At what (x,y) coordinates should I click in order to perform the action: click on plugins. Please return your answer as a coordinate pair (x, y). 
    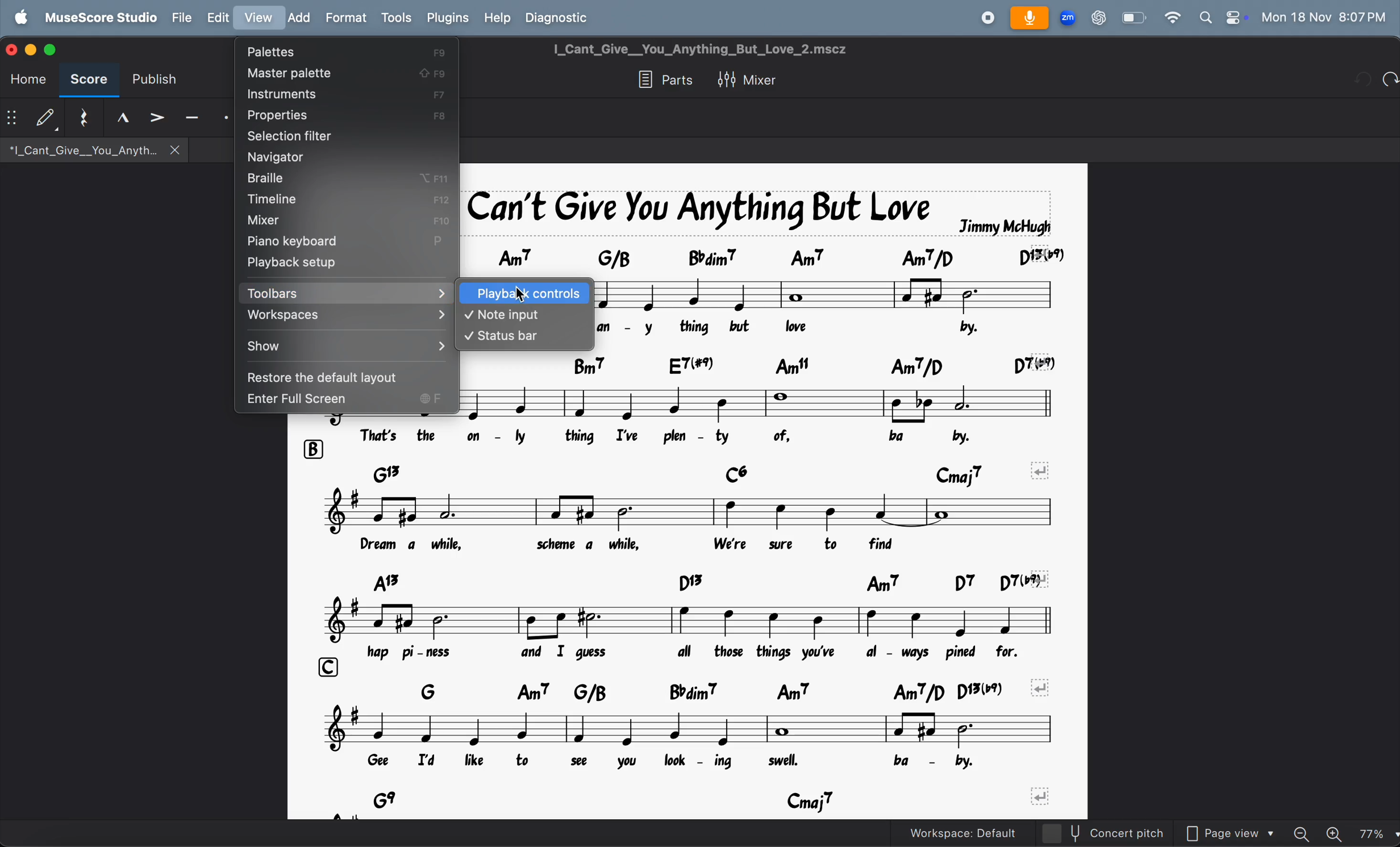
    Looking at the image, I should click on (447, 19).